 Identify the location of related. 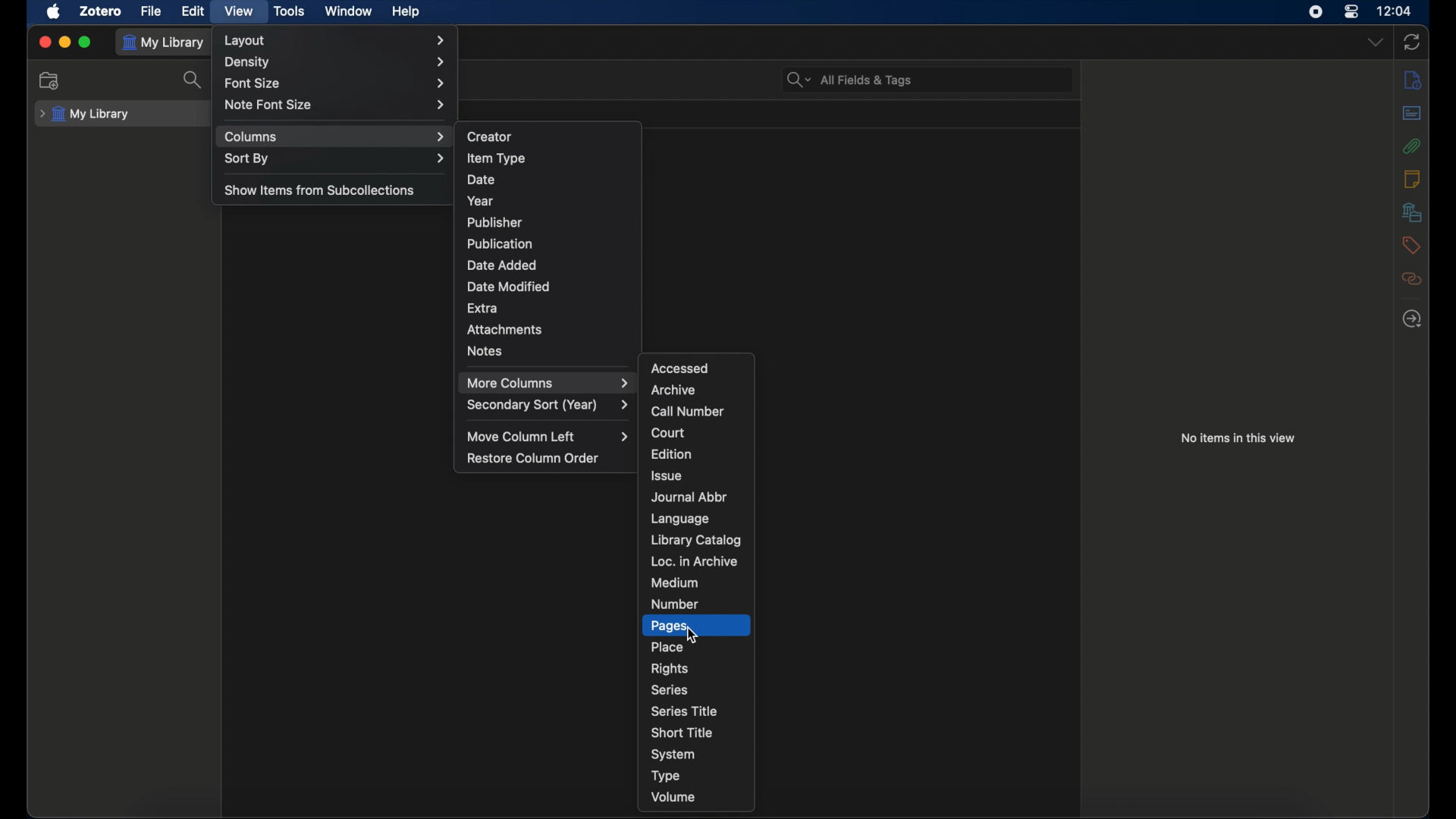
(1412, 279).